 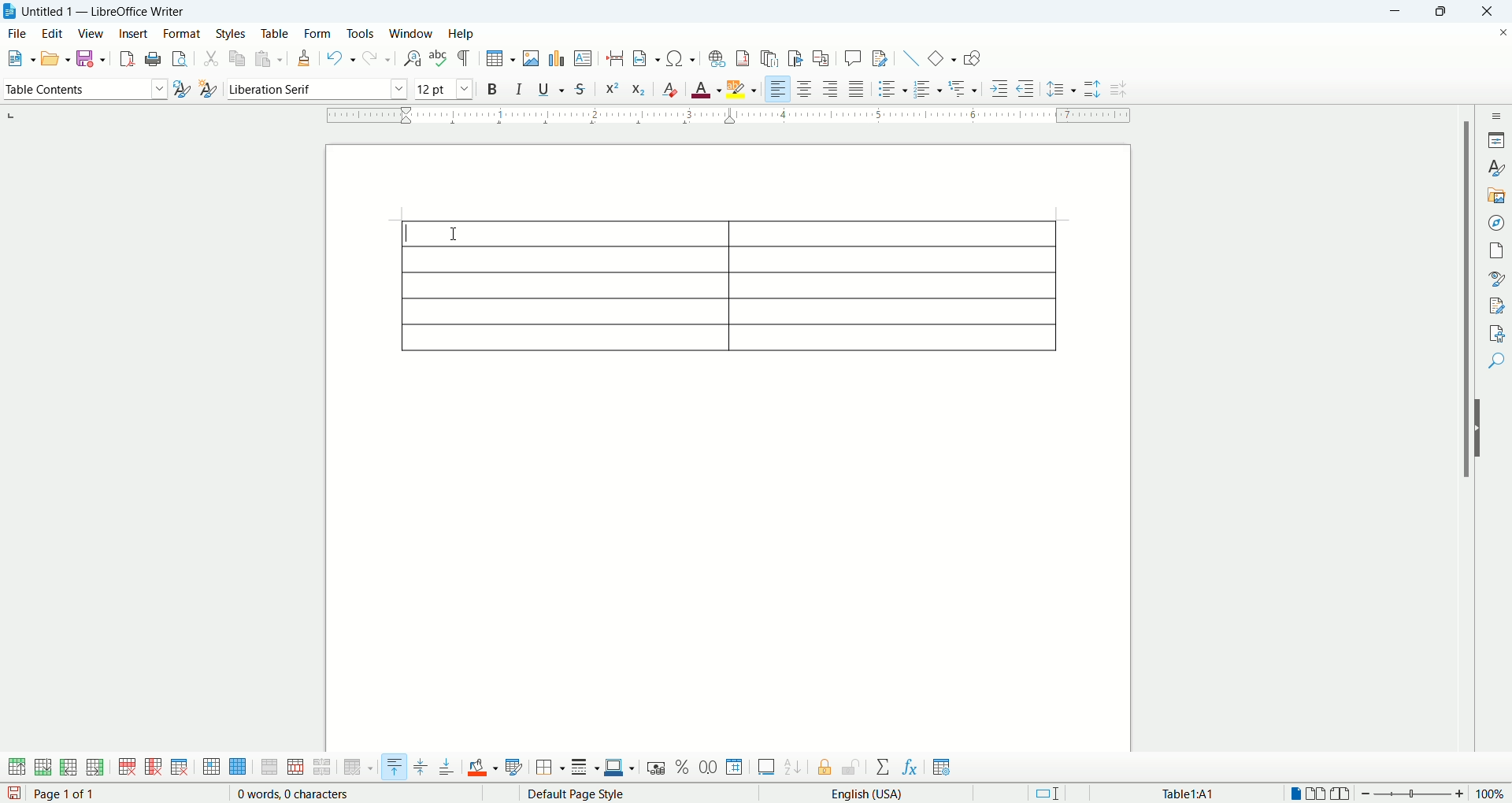 I want to click on cut, so click(x=212, y=60).